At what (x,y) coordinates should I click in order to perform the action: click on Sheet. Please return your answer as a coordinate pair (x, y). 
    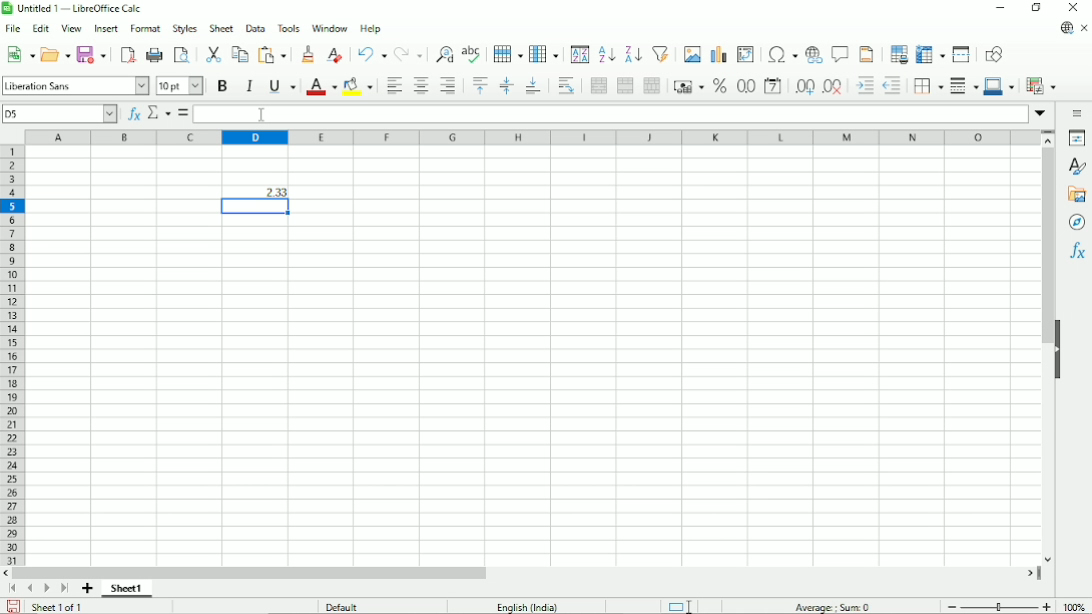
    Looking at the image, I should click on (221, 27).